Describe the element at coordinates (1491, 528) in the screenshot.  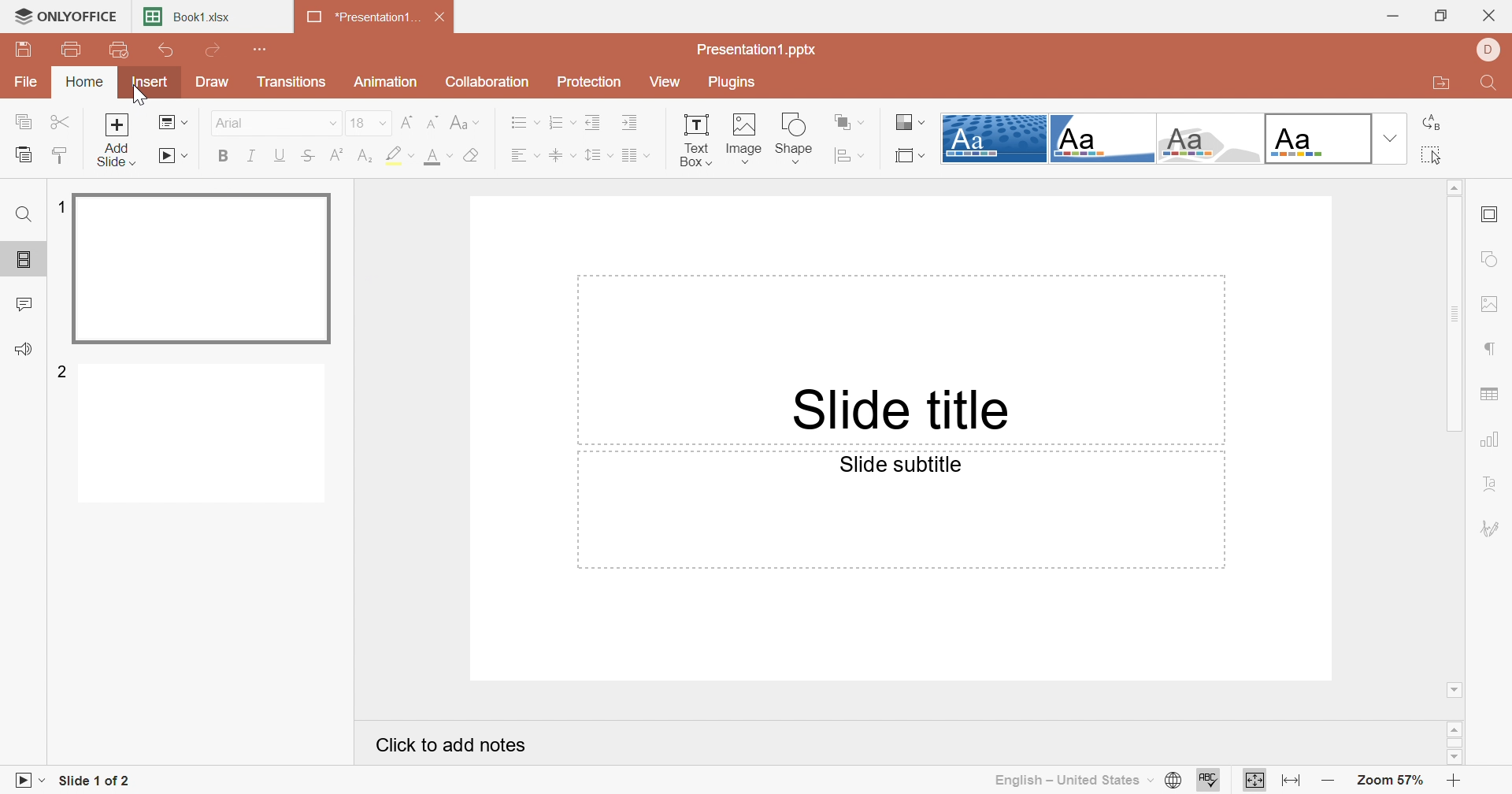
I see `Signature settings` at that location.